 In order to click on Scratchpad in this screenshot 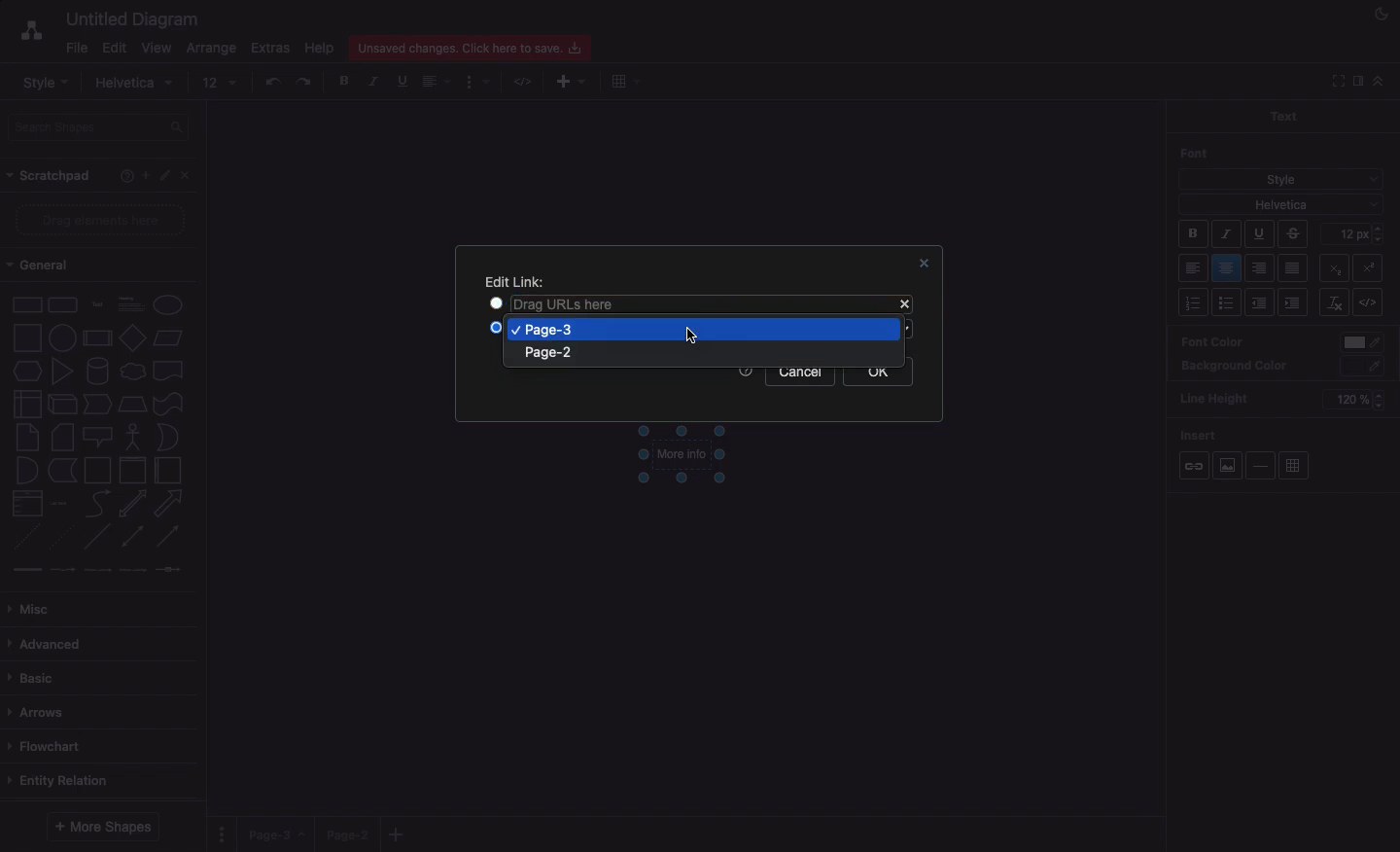, I will do `click(52, 177)`.